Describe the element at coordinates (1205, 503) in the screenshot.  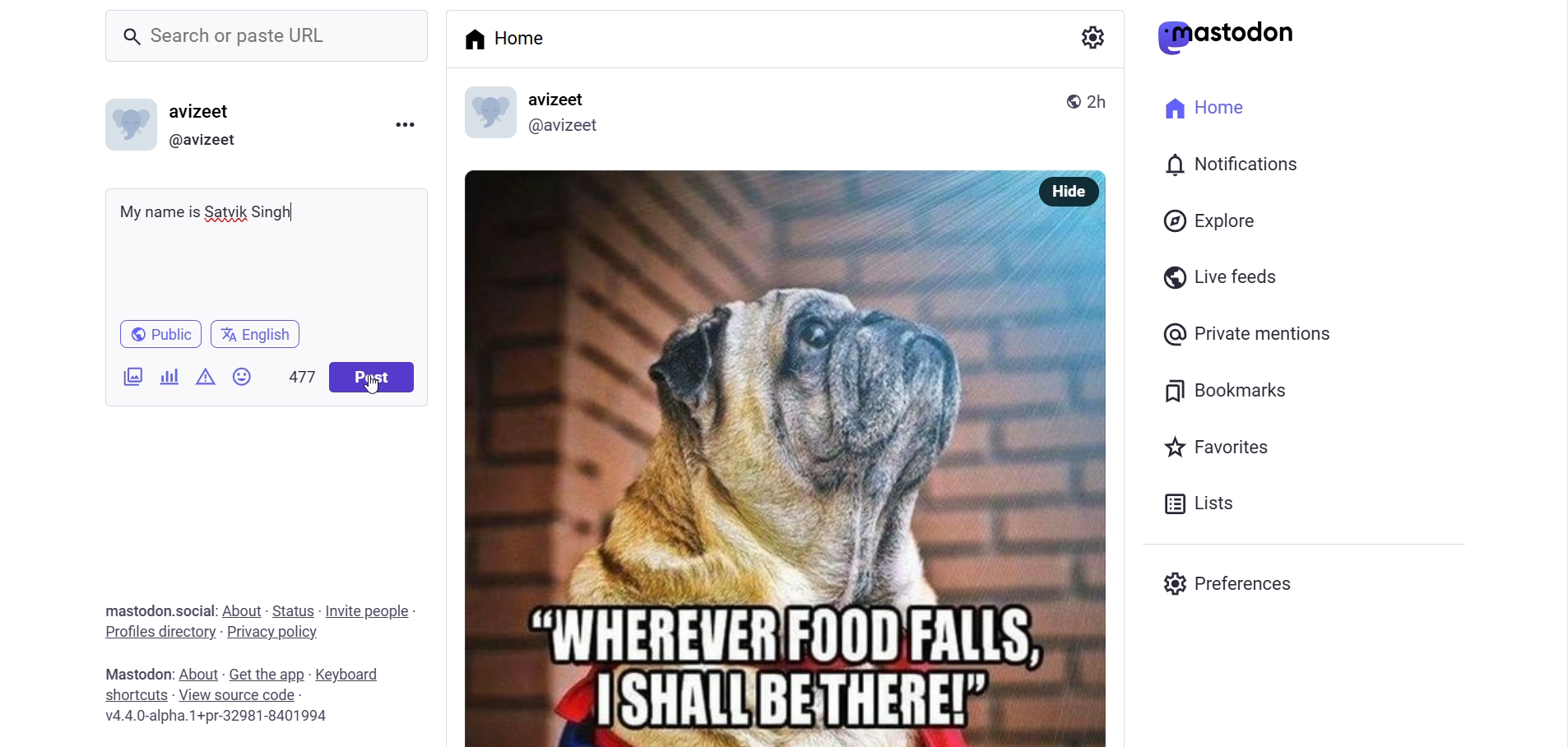
I see `Lists` at that location.